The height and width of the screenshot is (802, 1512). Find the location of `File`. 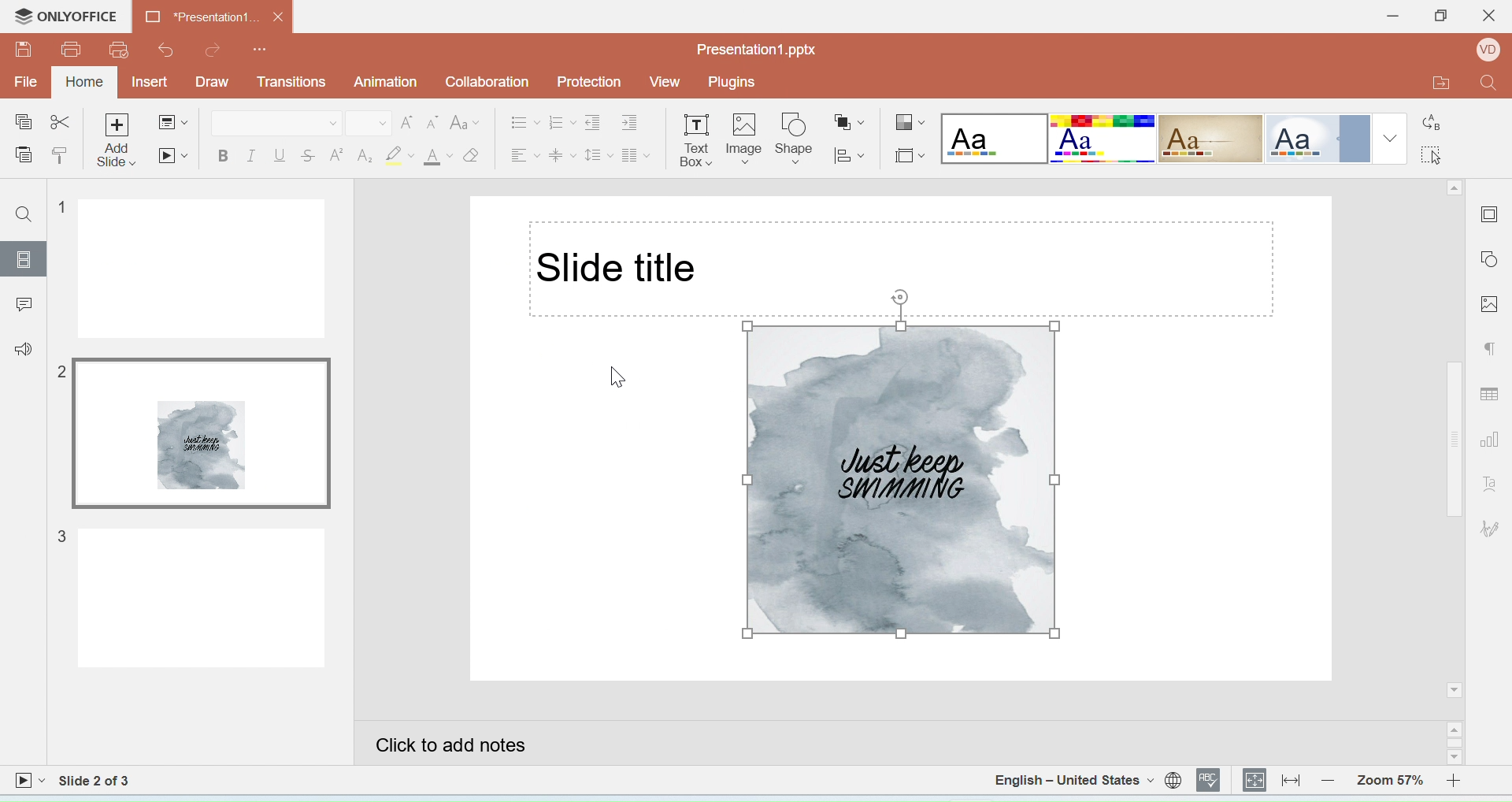

File is located at coordinates (28, 81).